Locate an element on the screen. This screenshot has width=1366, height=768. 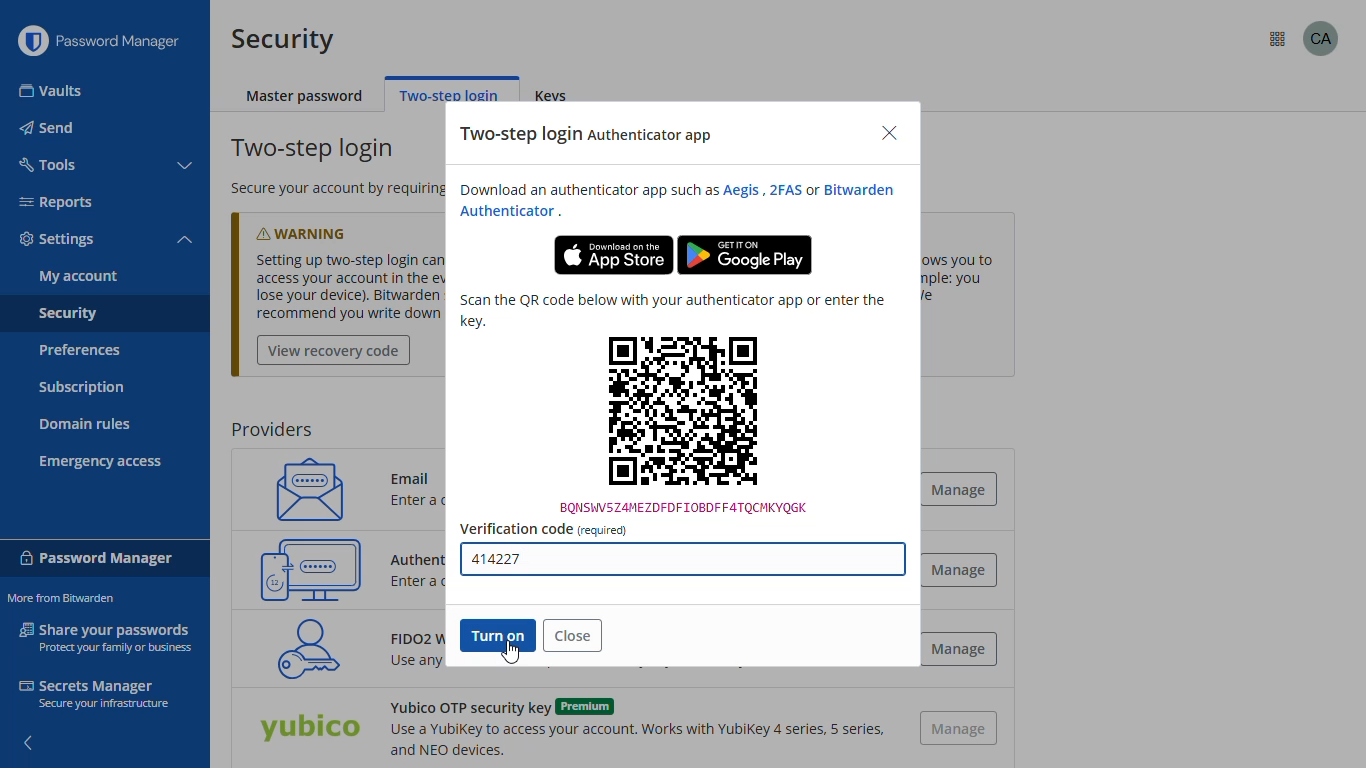
logo is located at coordinates (32, 41).